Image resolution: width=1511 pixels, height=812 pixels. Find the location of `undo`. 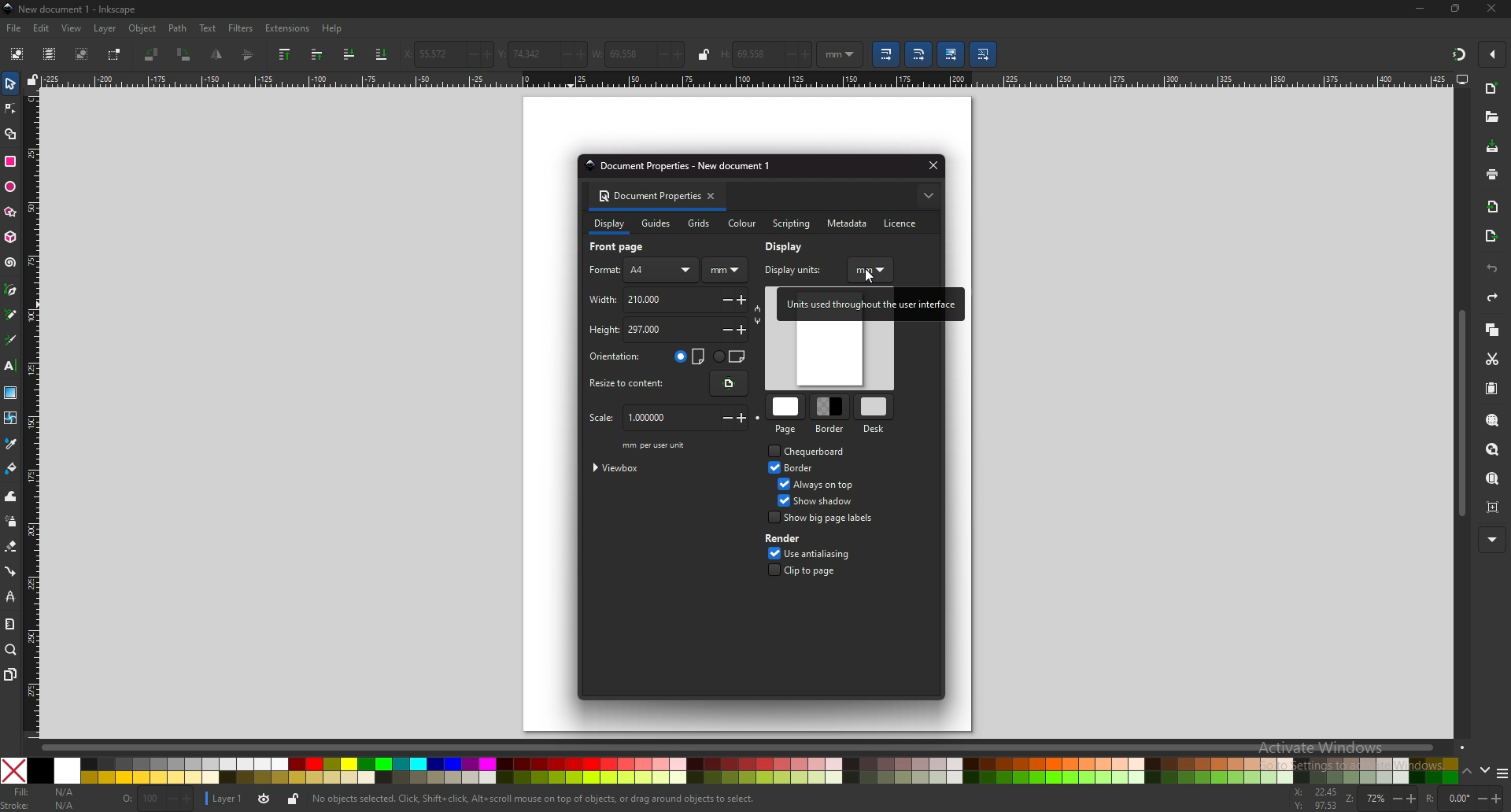

undo is located at coordinates (1493, 268).